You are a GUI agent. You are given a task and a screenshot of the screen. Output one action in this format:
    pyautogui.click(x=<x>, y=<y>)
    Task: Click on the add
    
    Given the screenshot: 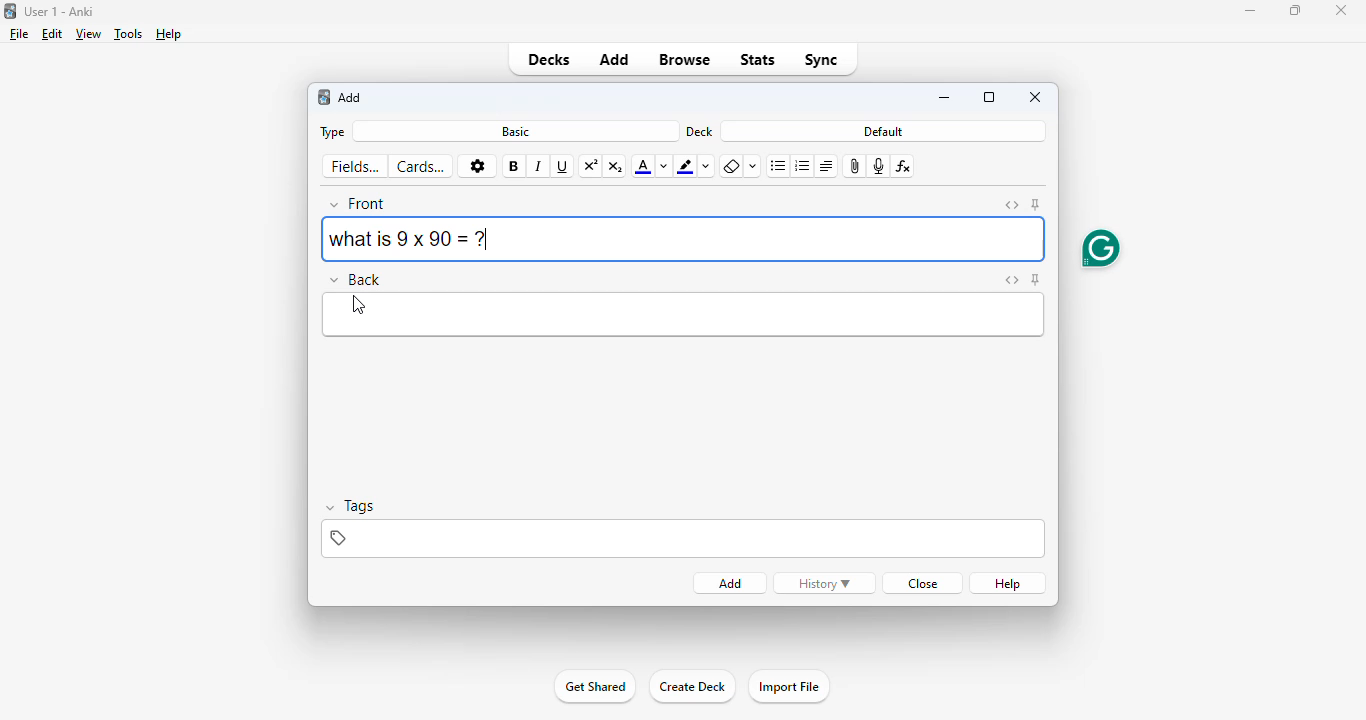 What is the action you would take?
    pyautogui.click(x=731, y=584)
    